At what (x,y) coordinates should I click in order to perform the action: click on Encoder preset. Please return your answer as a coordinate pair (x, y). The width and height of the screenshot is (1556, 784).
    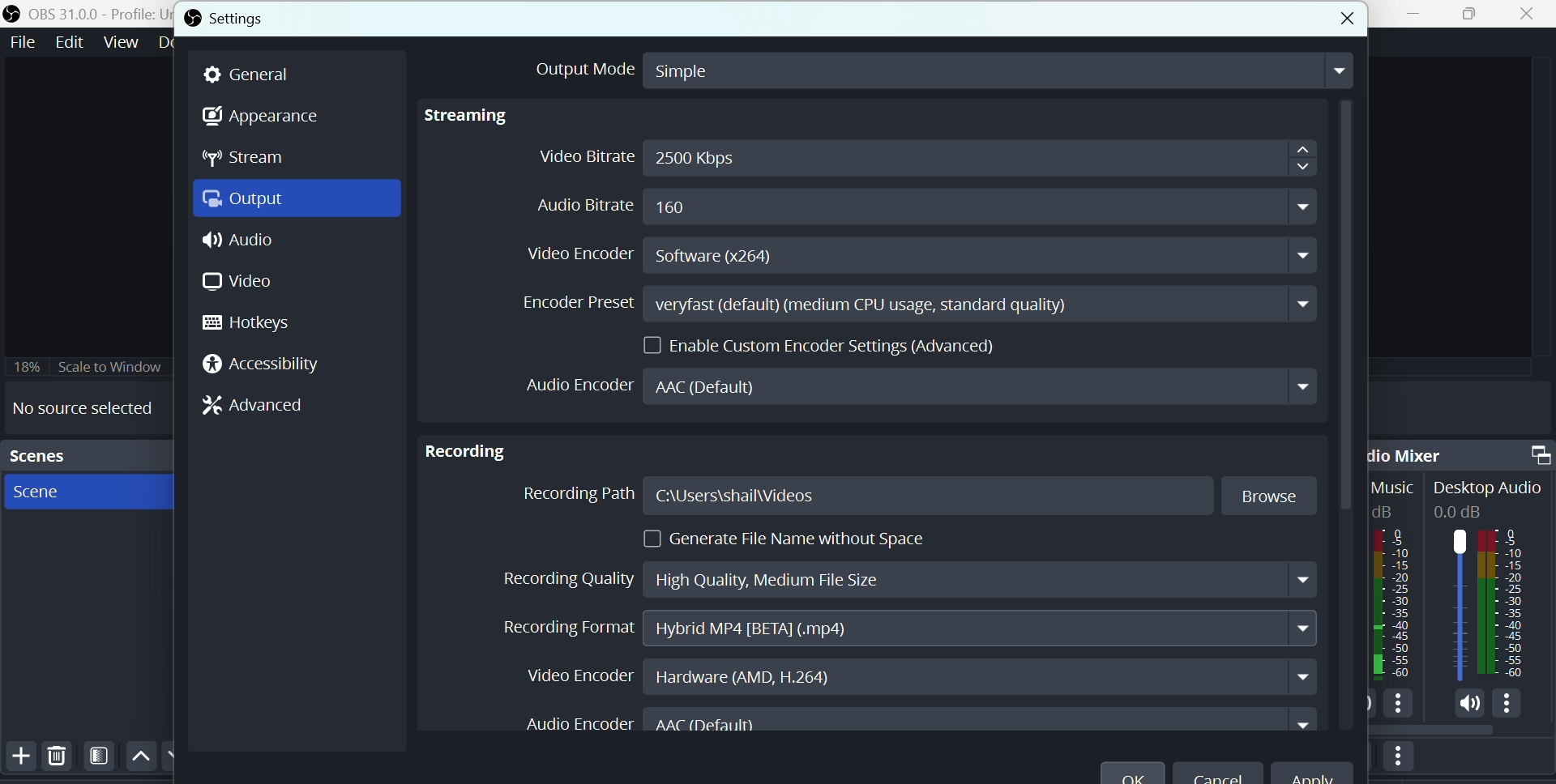
    Looking at the image, I should click on (919, 305).